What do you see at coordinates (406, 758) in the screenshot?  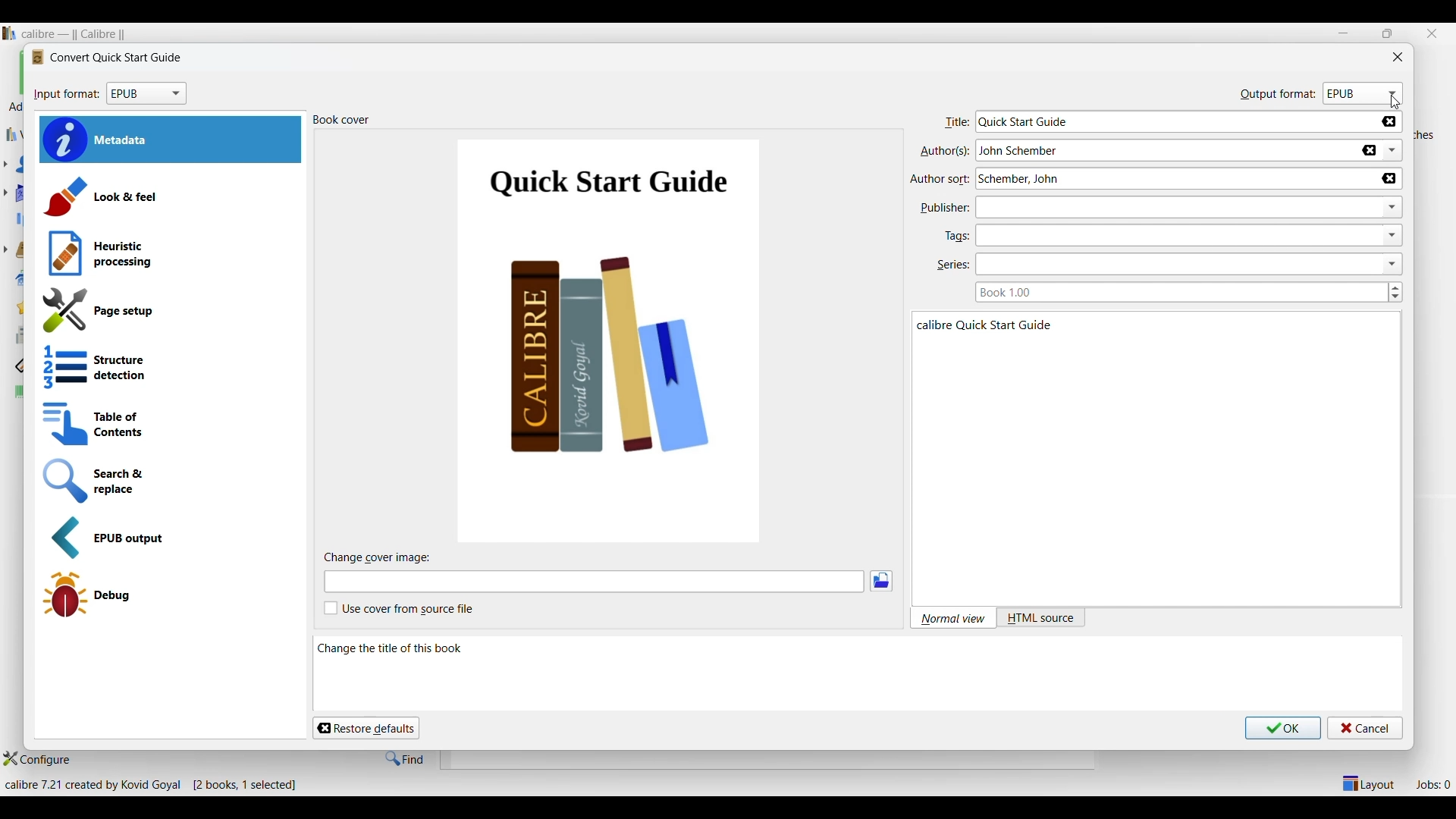 I see `Find` at bounding box center [406, 758].